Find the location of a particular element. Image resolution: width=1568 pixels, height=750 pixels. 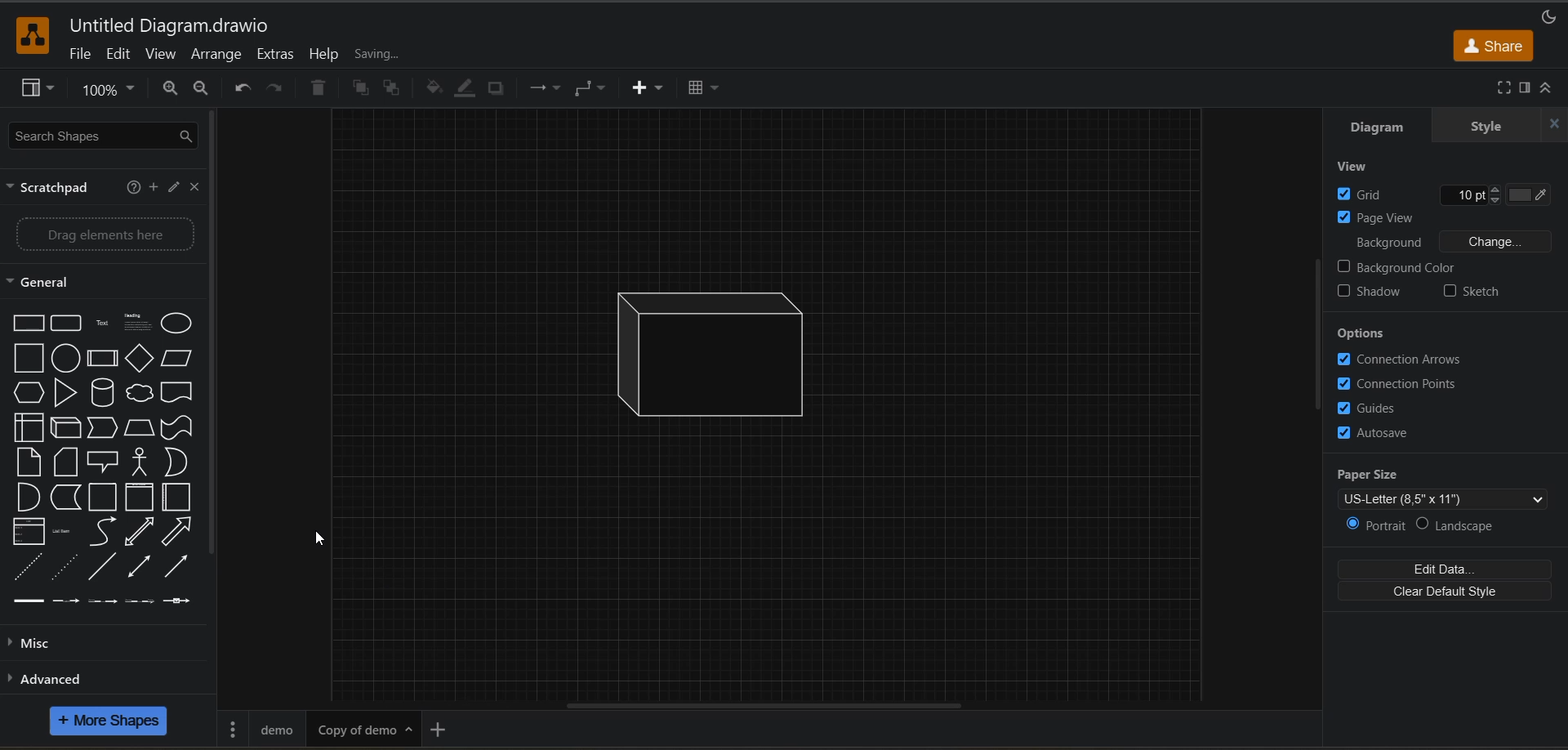

table is located at coordinates (704, 87).